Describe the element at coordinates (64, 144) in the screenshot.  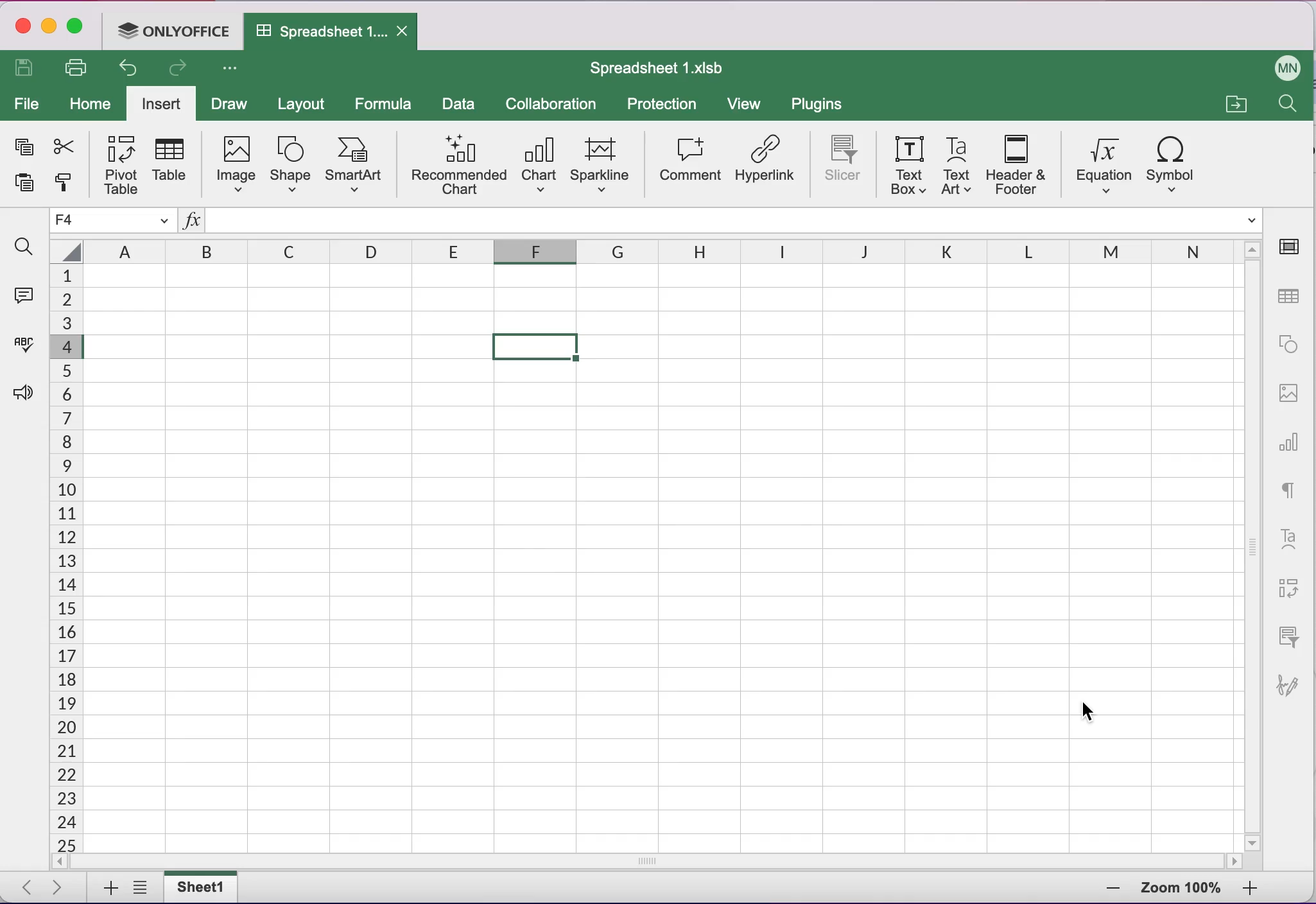
I see `cut` at that location.